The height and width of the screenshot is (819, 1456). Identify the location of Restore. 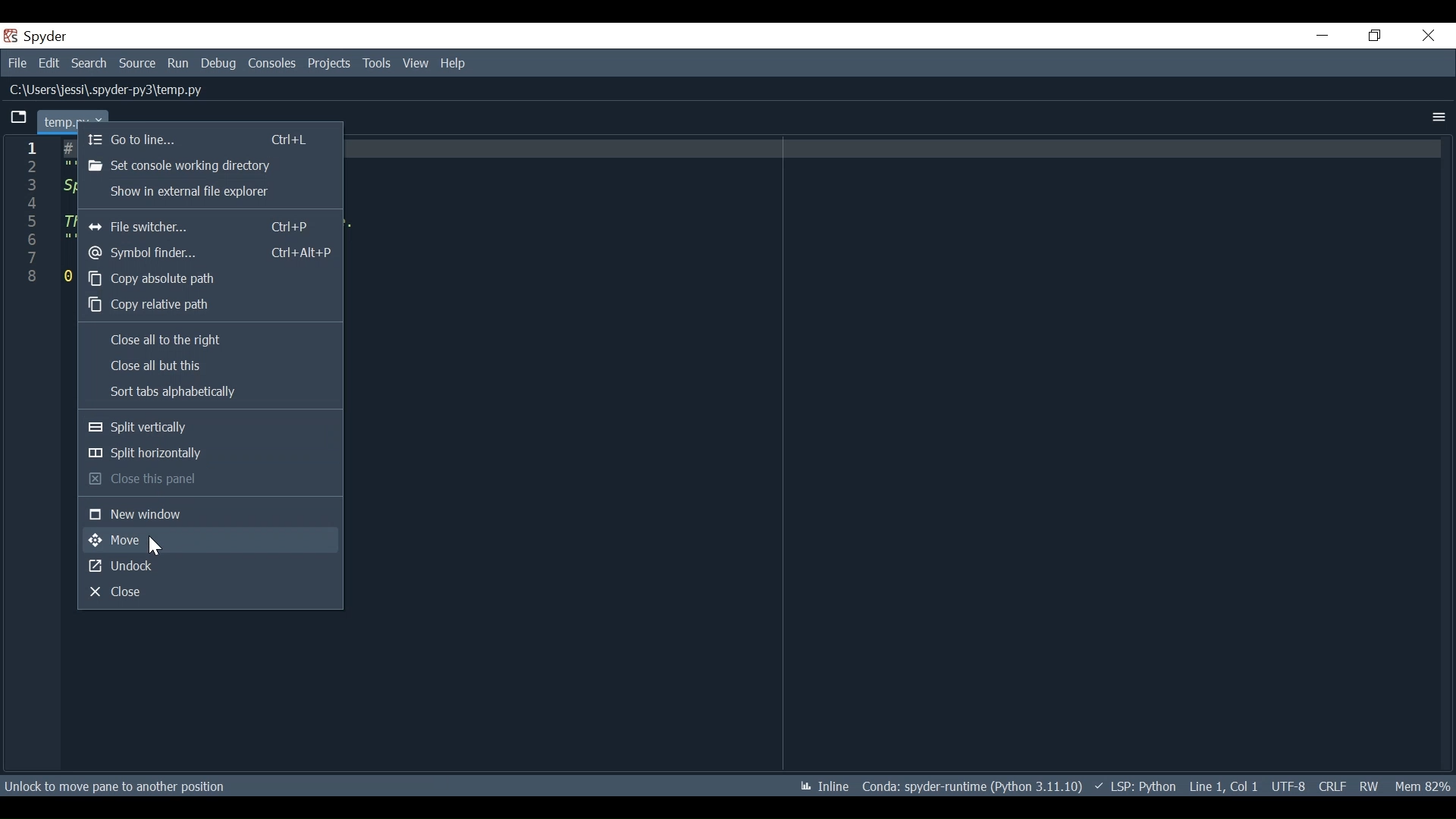
(1376, 35).